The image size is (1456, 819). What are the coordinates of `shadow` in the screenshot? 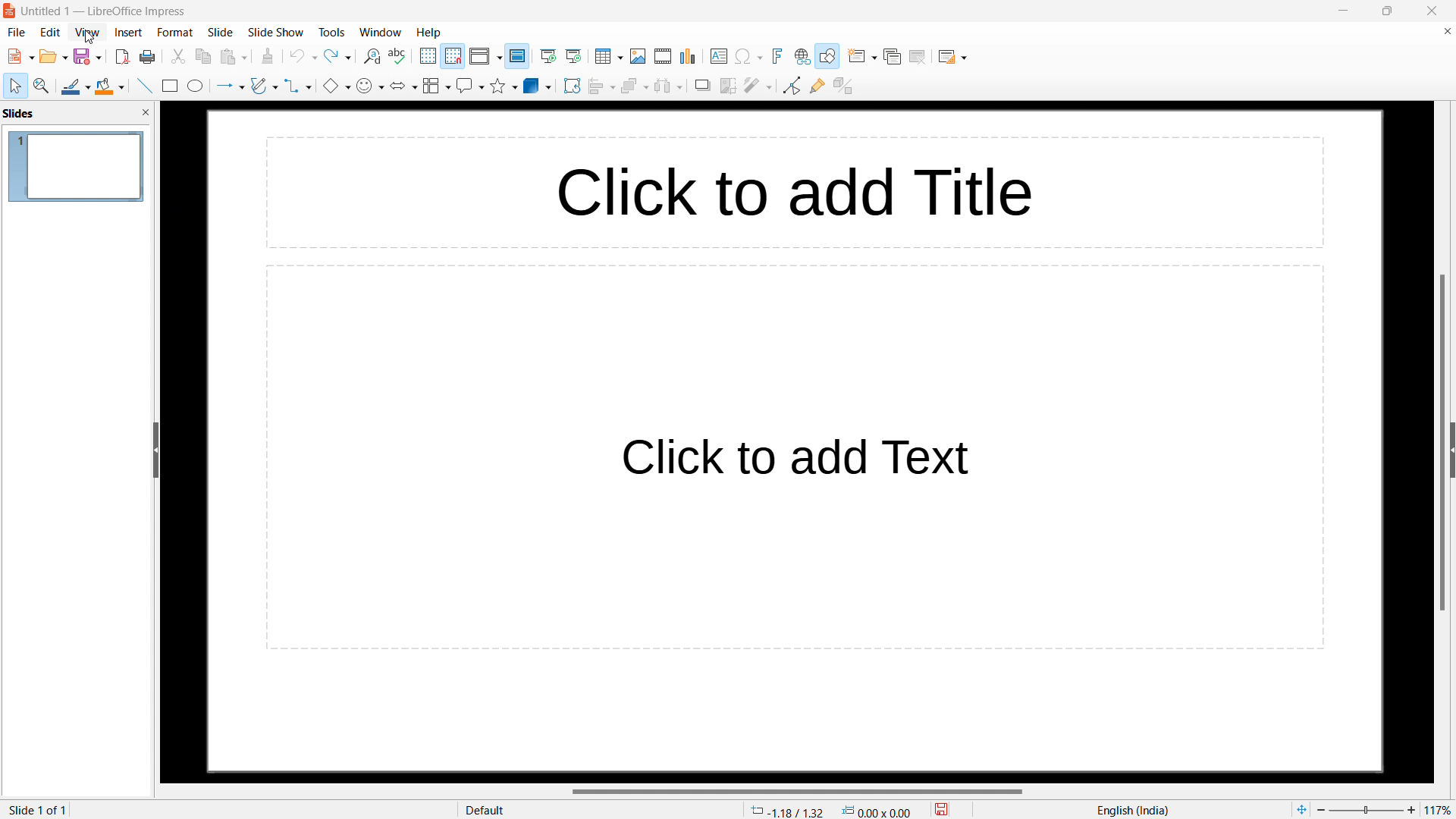 It's located at (703, 85).